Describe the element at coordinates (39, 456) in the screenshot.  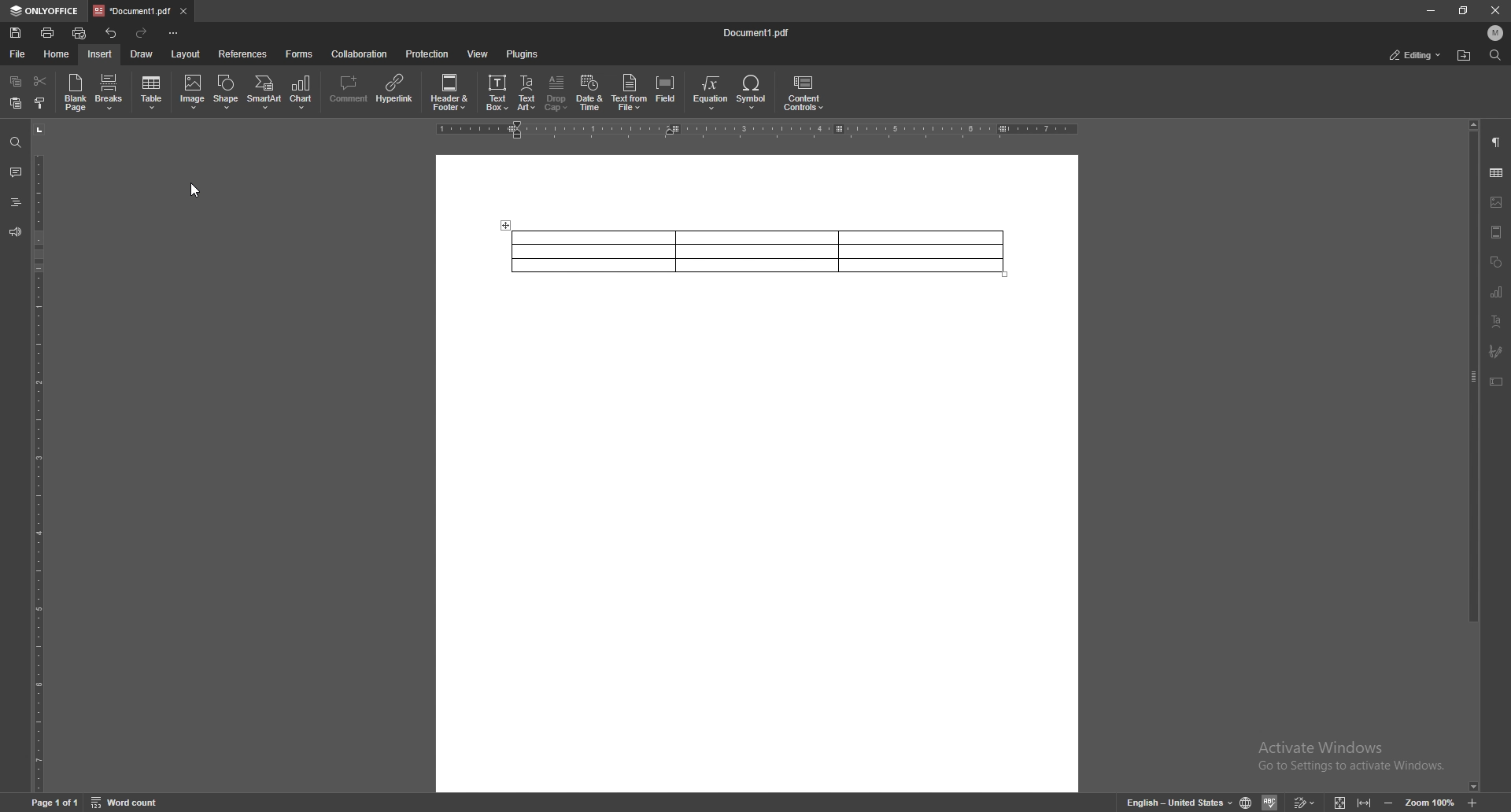
I see `vertical scale` at that location.